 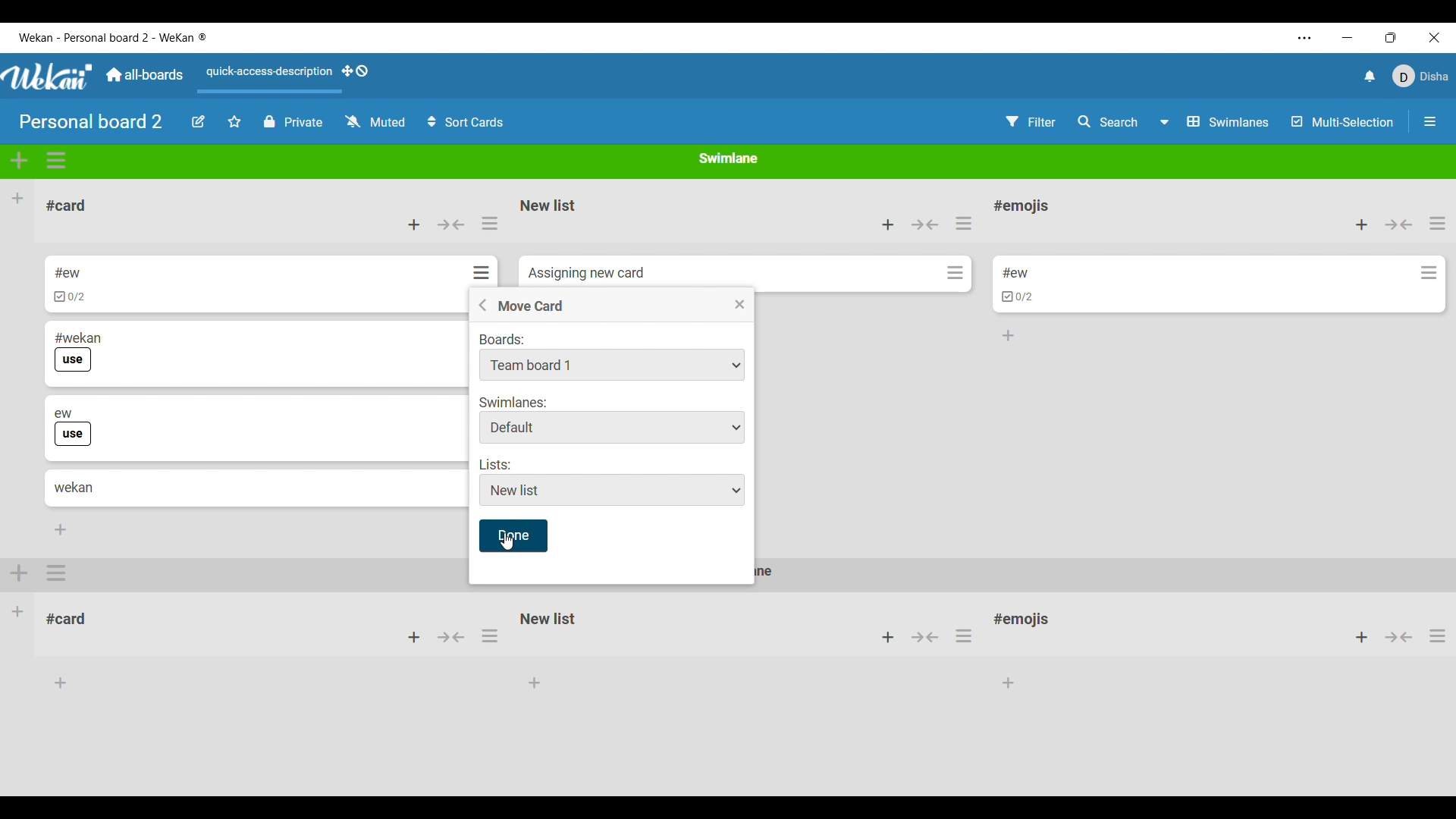 I want to click on Change tab dimension, so click(x=1391, y=37).